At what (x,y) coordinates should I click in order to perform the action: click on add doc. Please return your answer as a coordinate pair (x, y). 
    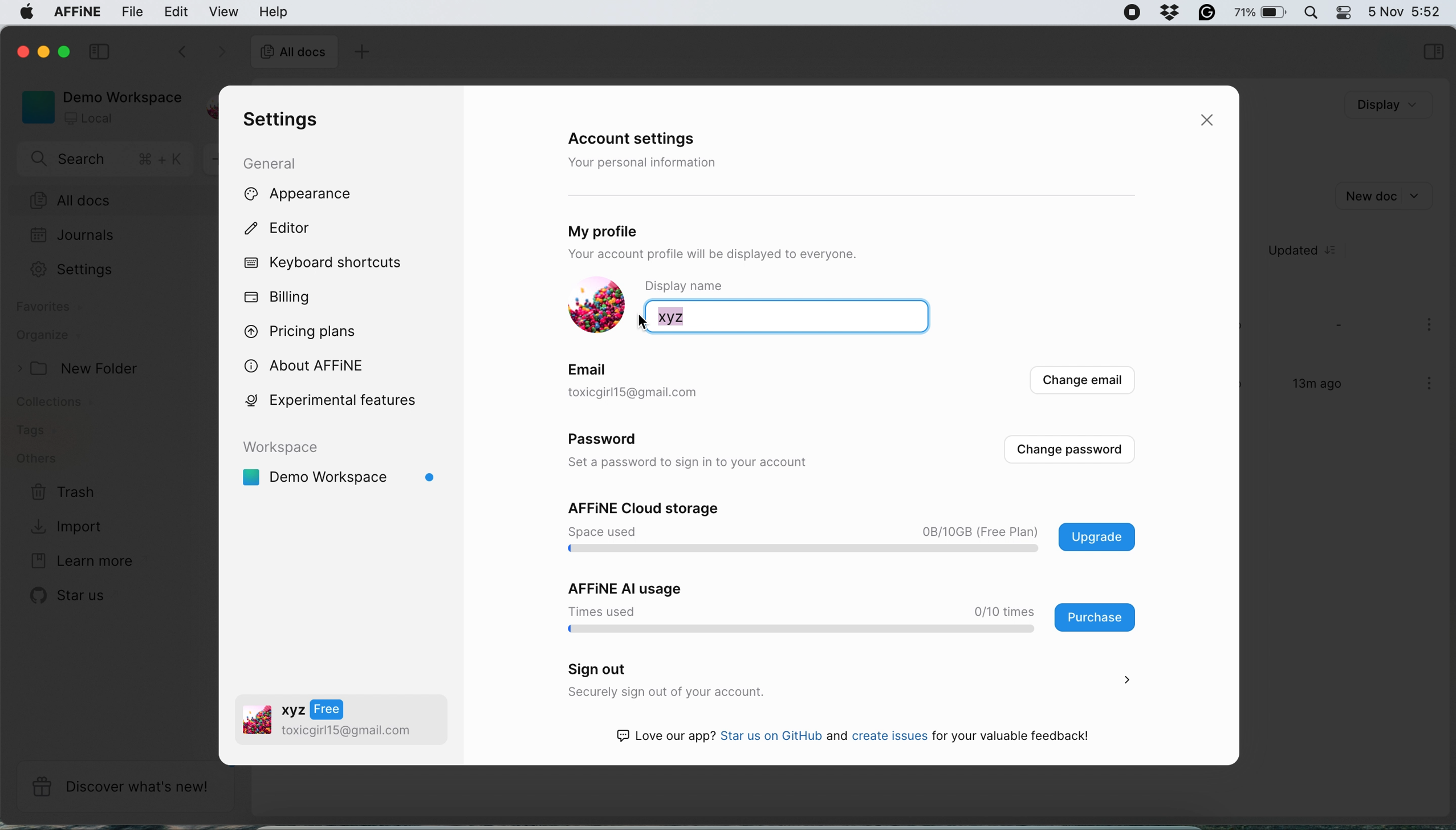
    Looking at the image, I should click on (360, 54).